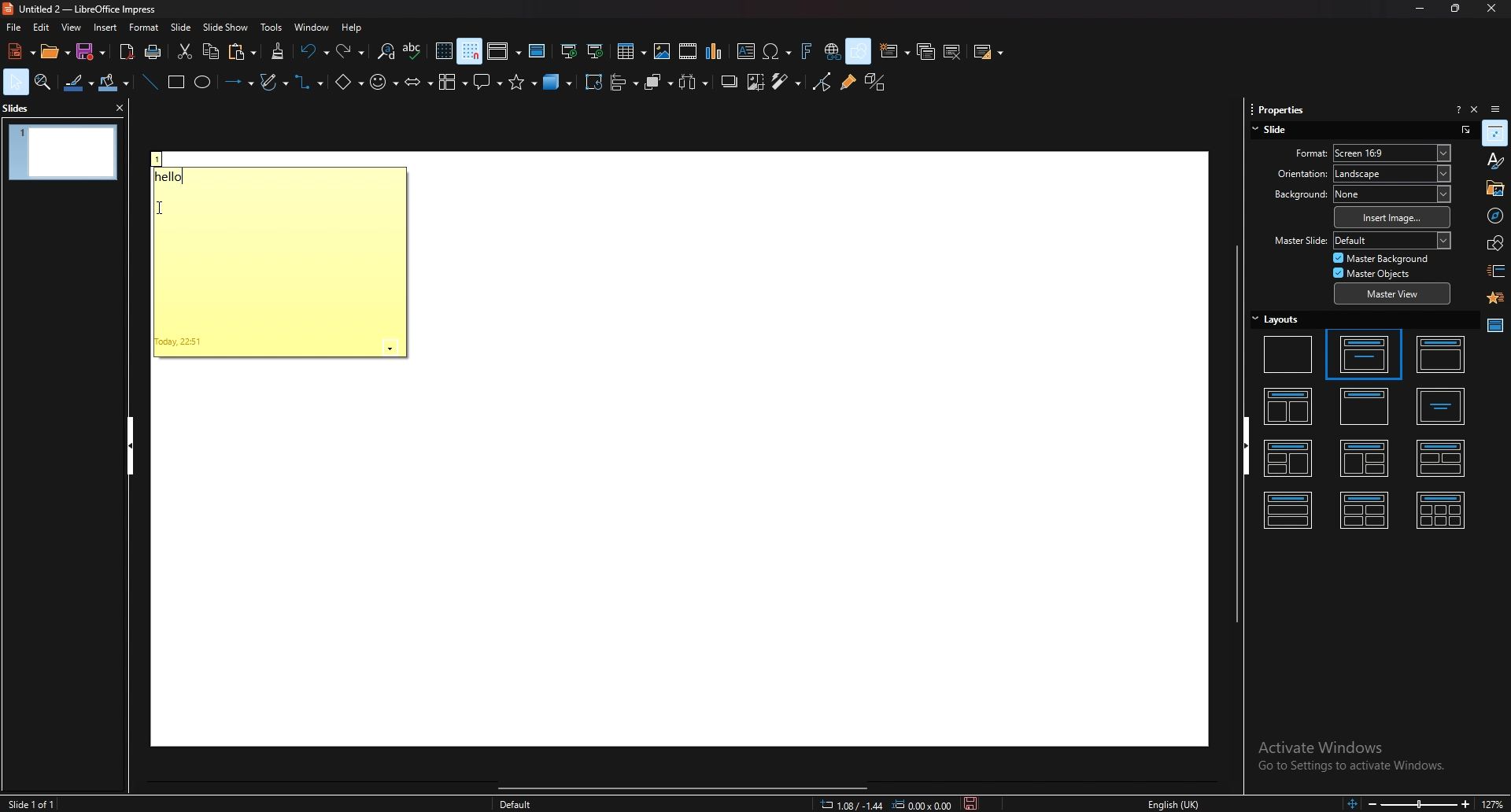 This screenshot has height=812, width=1511. I want to click on insert audio or video, so click(688, 51).